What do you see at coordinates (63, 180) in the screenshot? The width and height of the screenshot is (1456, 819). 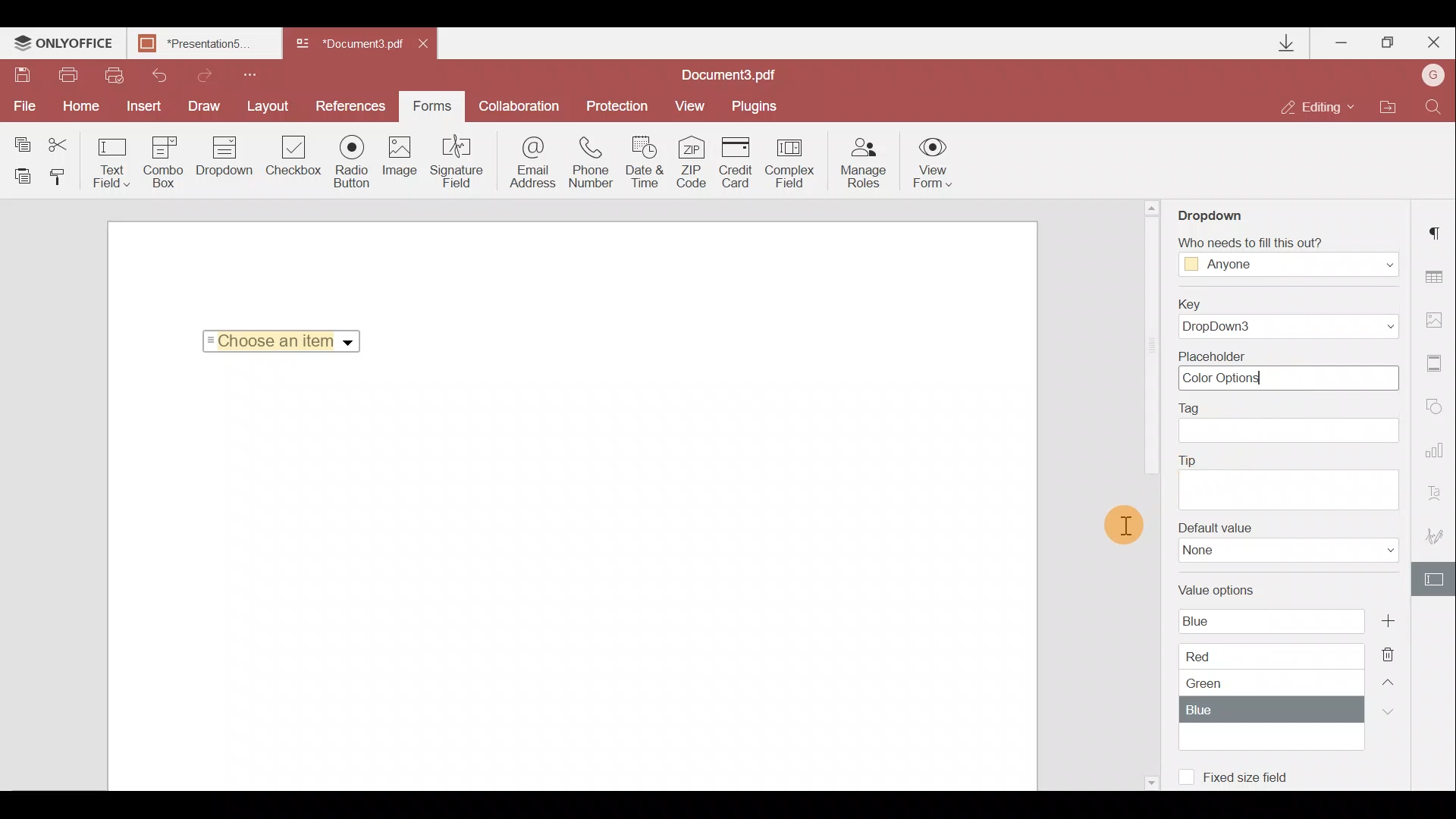 I see `Copy style` at bounding box center [63, 180].